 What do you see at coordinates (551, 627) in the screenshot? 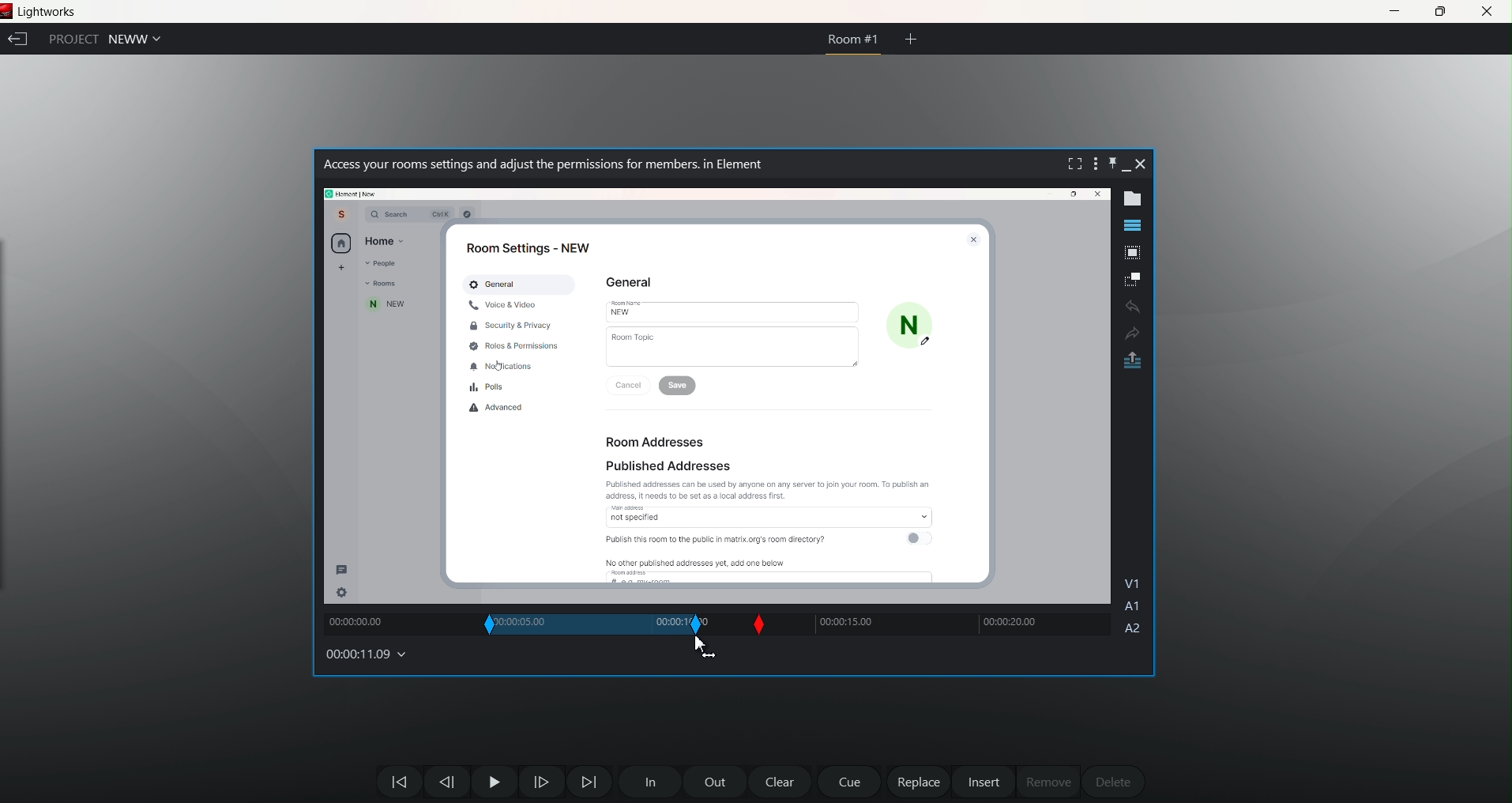
I see `00:00:05.00 (current in and out time)` at bounding box center [551, 627].